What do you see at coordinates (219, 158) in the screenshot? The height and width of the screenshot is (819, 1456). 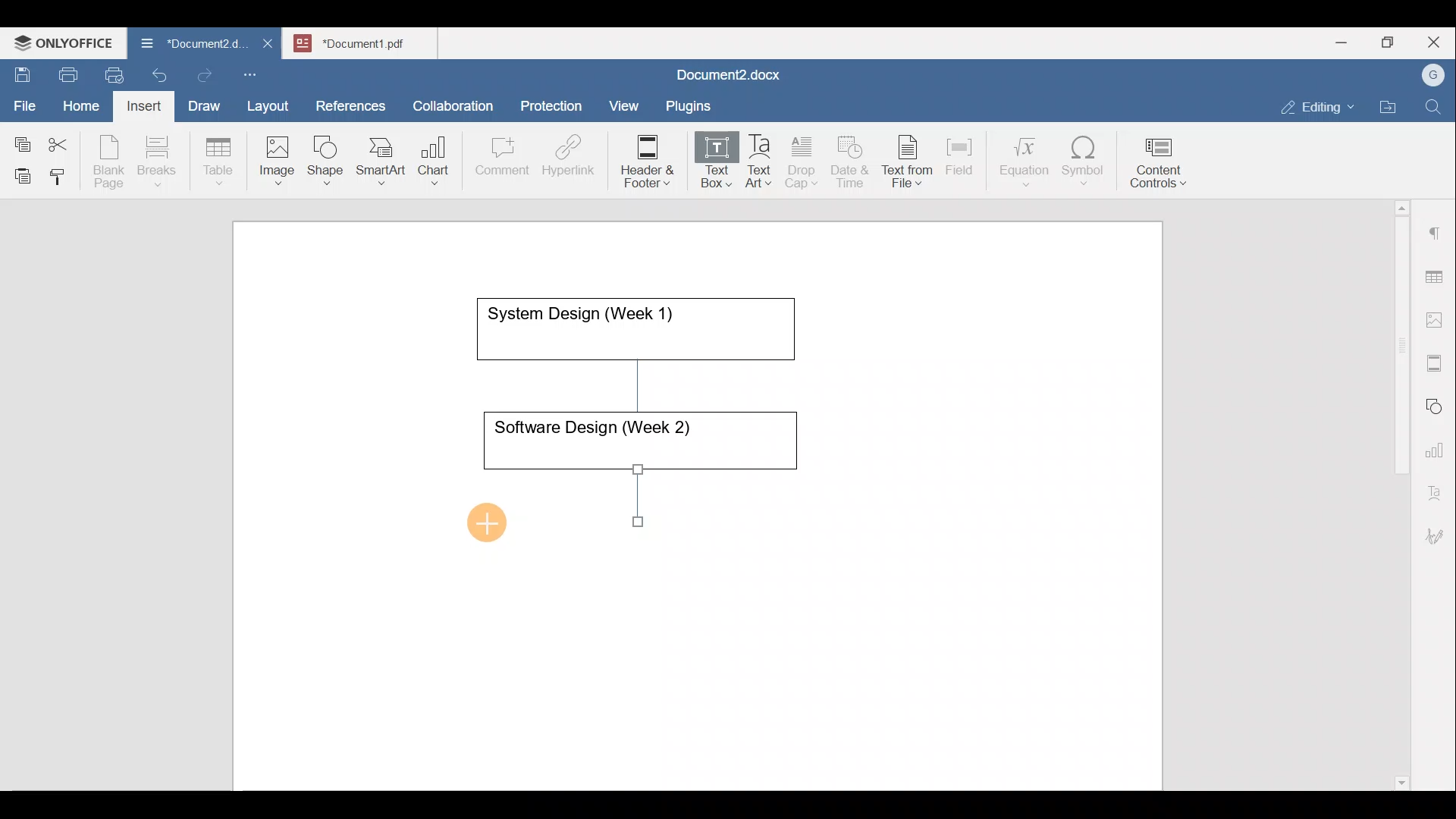 I see `Table` at bounding box center [219, 158].